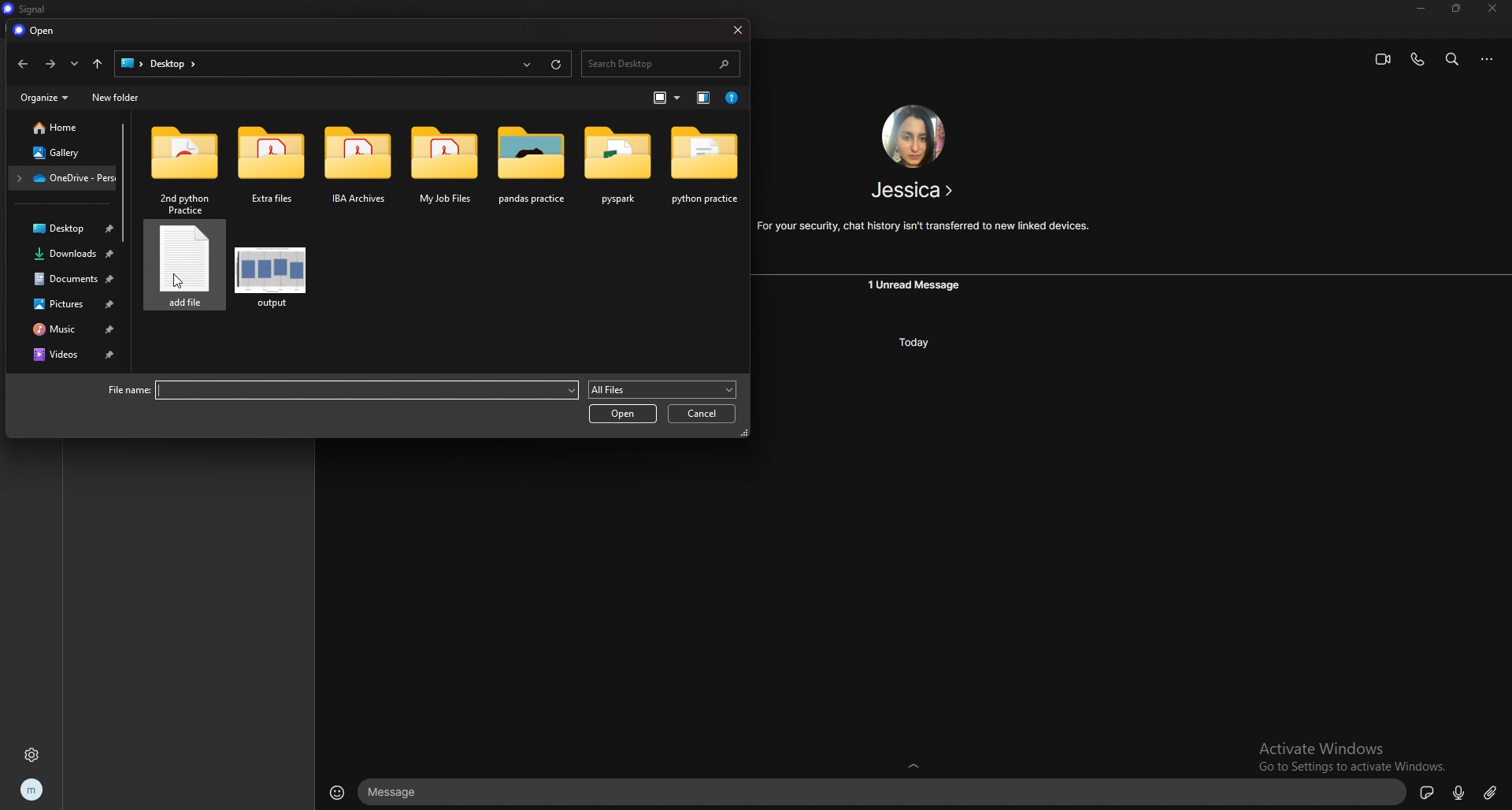 This screenshot has height=810, width=1512. What do you see at coordinates (668, 98) in the screenshot?
I see `change view` at bounding box center [668, 98].